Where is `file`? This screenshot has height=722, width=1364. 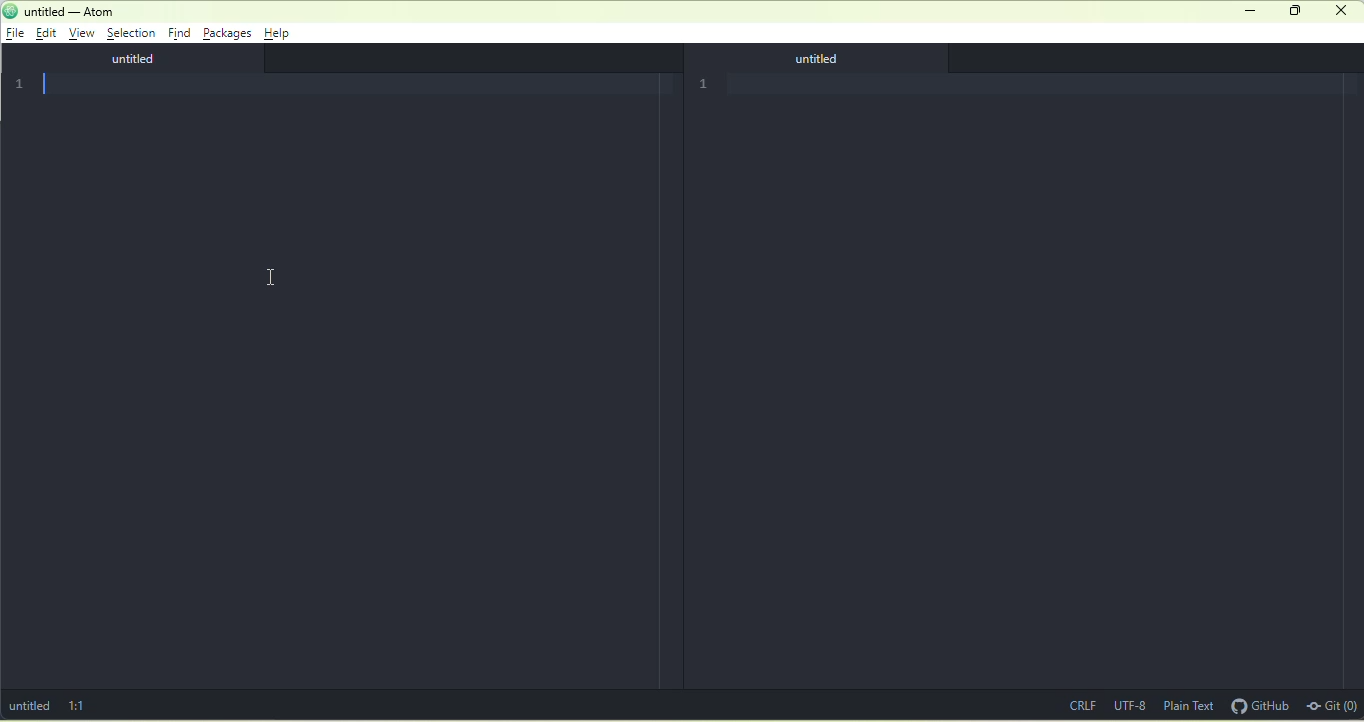
file is located at coordinates (16, 34).